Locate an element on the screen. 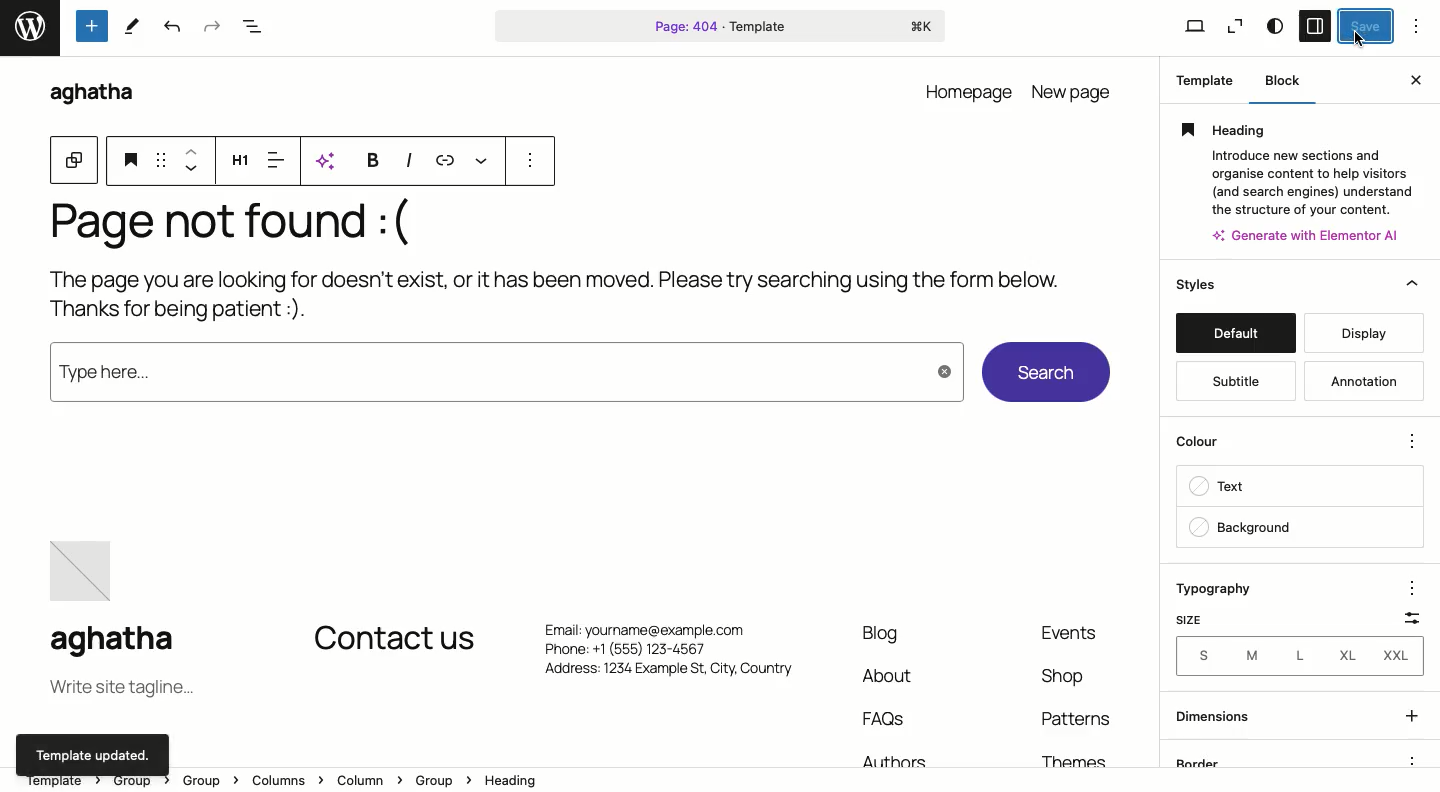 This screenshot has width=1440, height=792. options is located at coordinates (1412, 760).